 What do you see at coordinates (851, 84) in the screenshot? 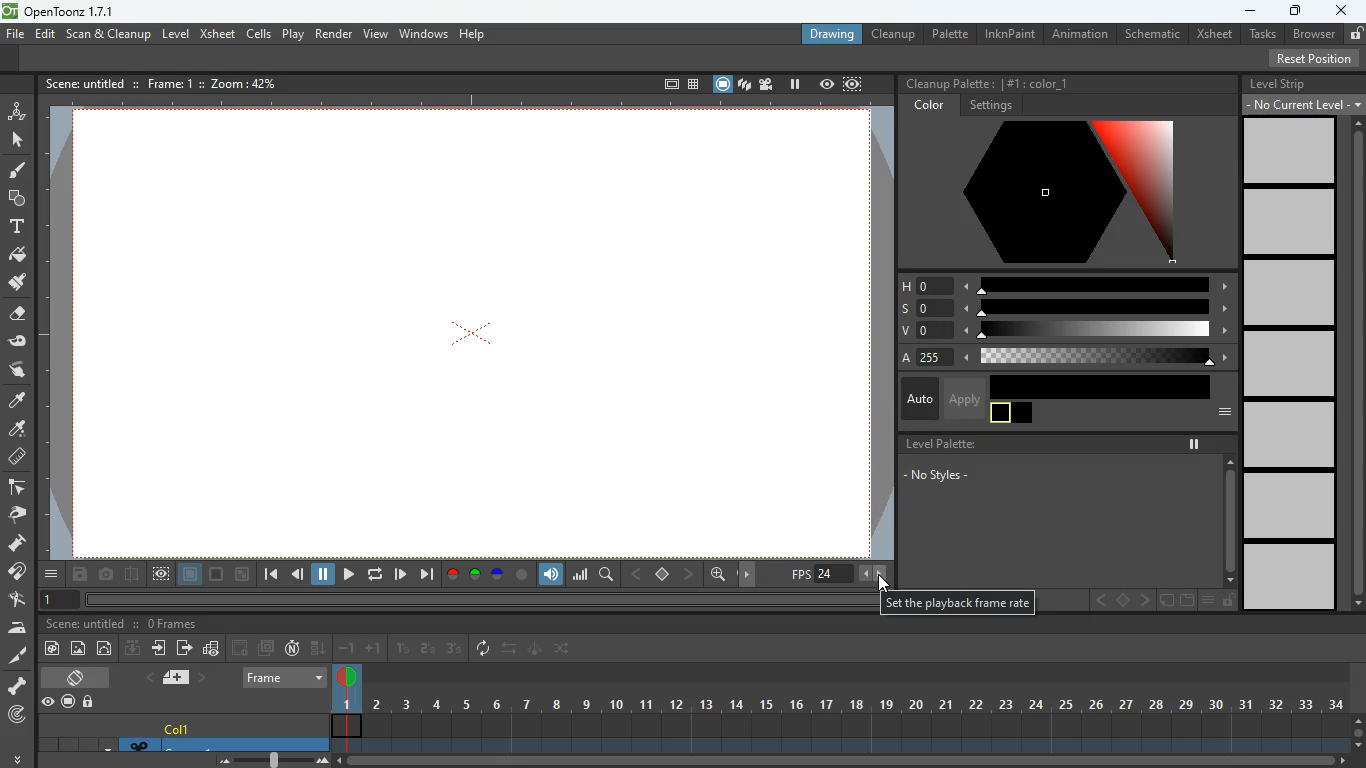
I see `frame` at bounding box center [851, 84].